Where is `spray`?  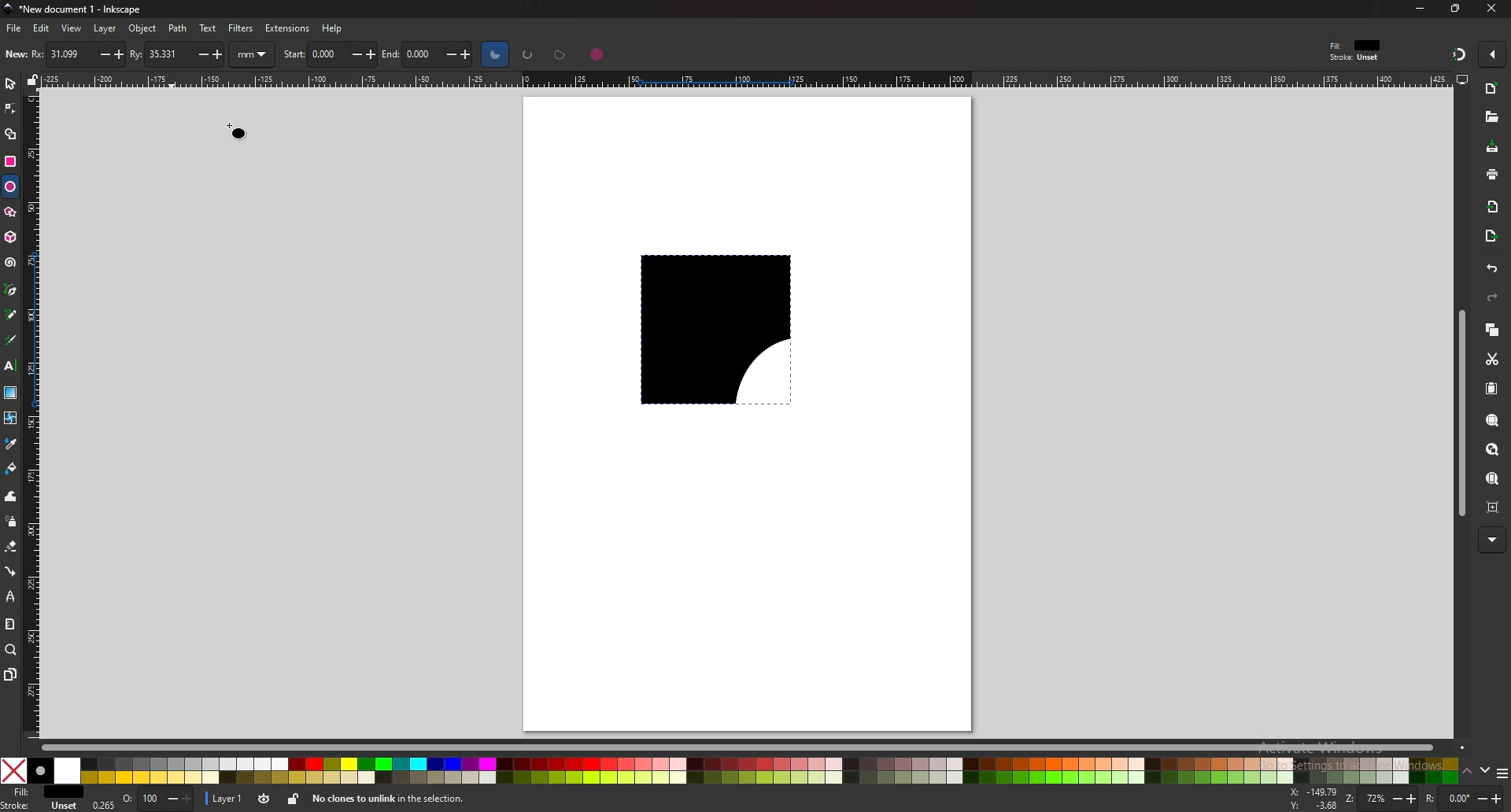 spray is located at coordinates (10, 522).